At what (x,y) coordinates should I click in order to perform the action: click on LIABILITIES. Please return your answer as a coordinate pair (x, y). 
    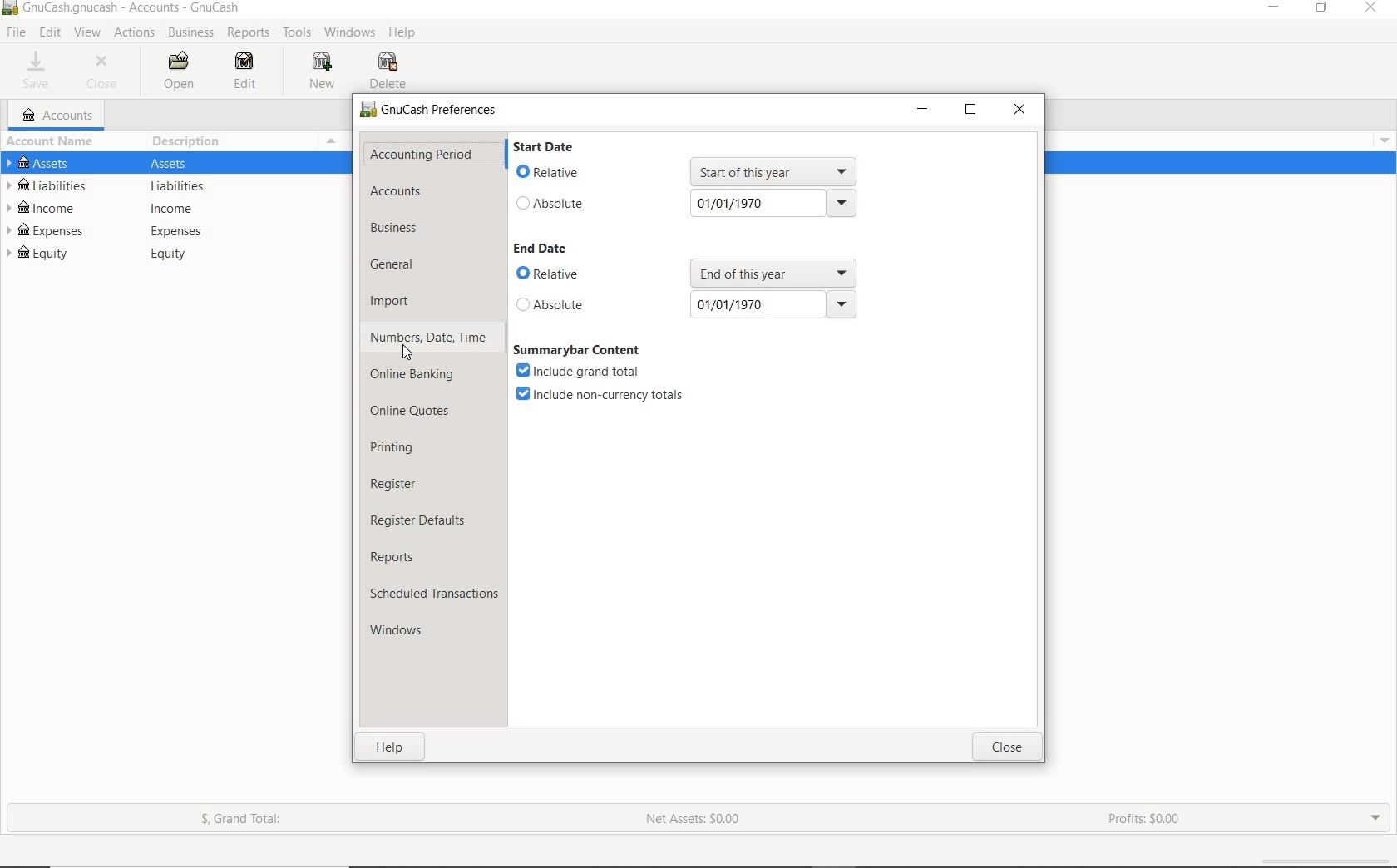
    Looking at the image, I should click on (166, 187).